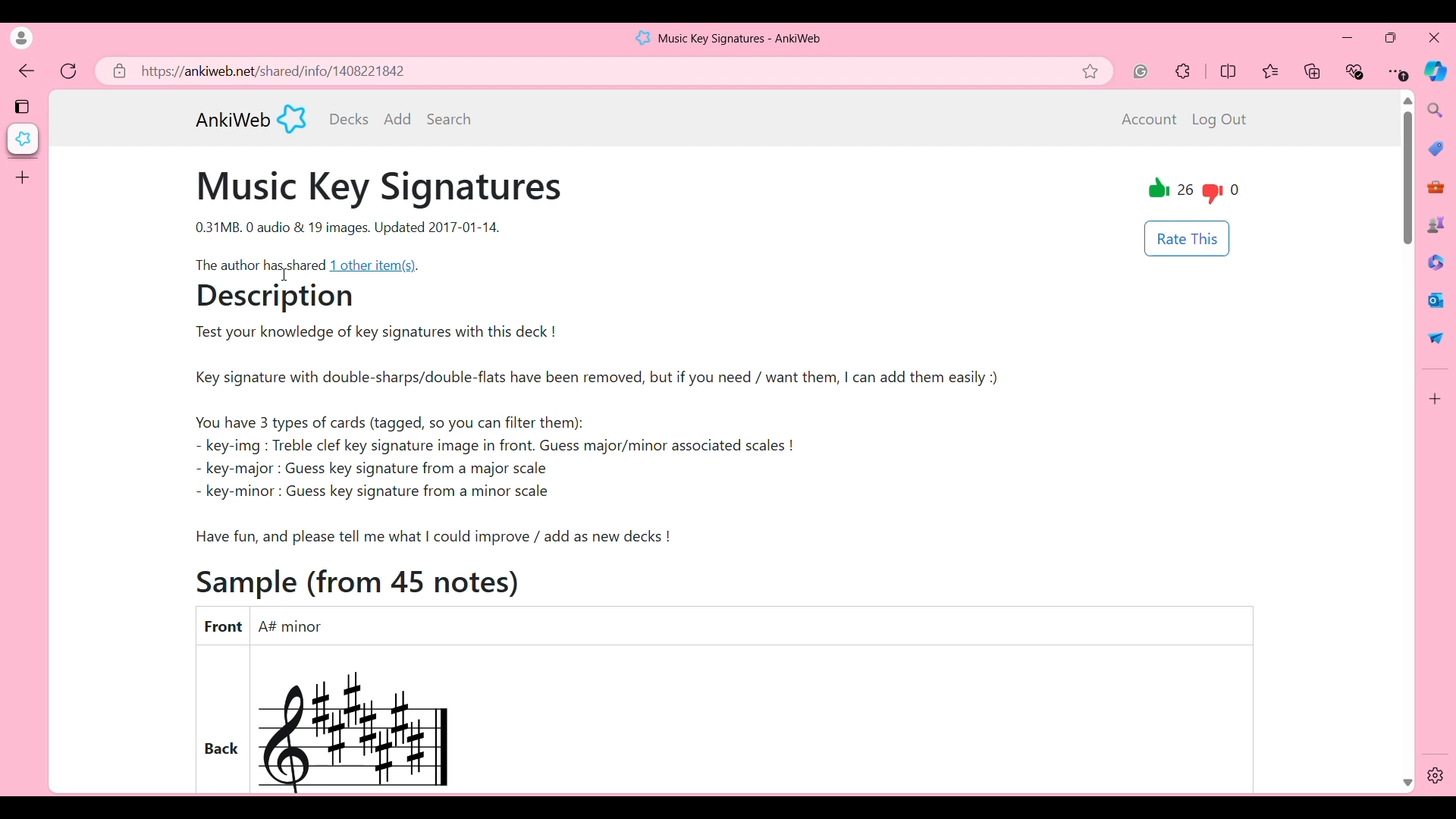 The image size is (1456, 819). Describe the element at coordinates (1272, 71) in the screenshot. I see `Favorites` at that location.